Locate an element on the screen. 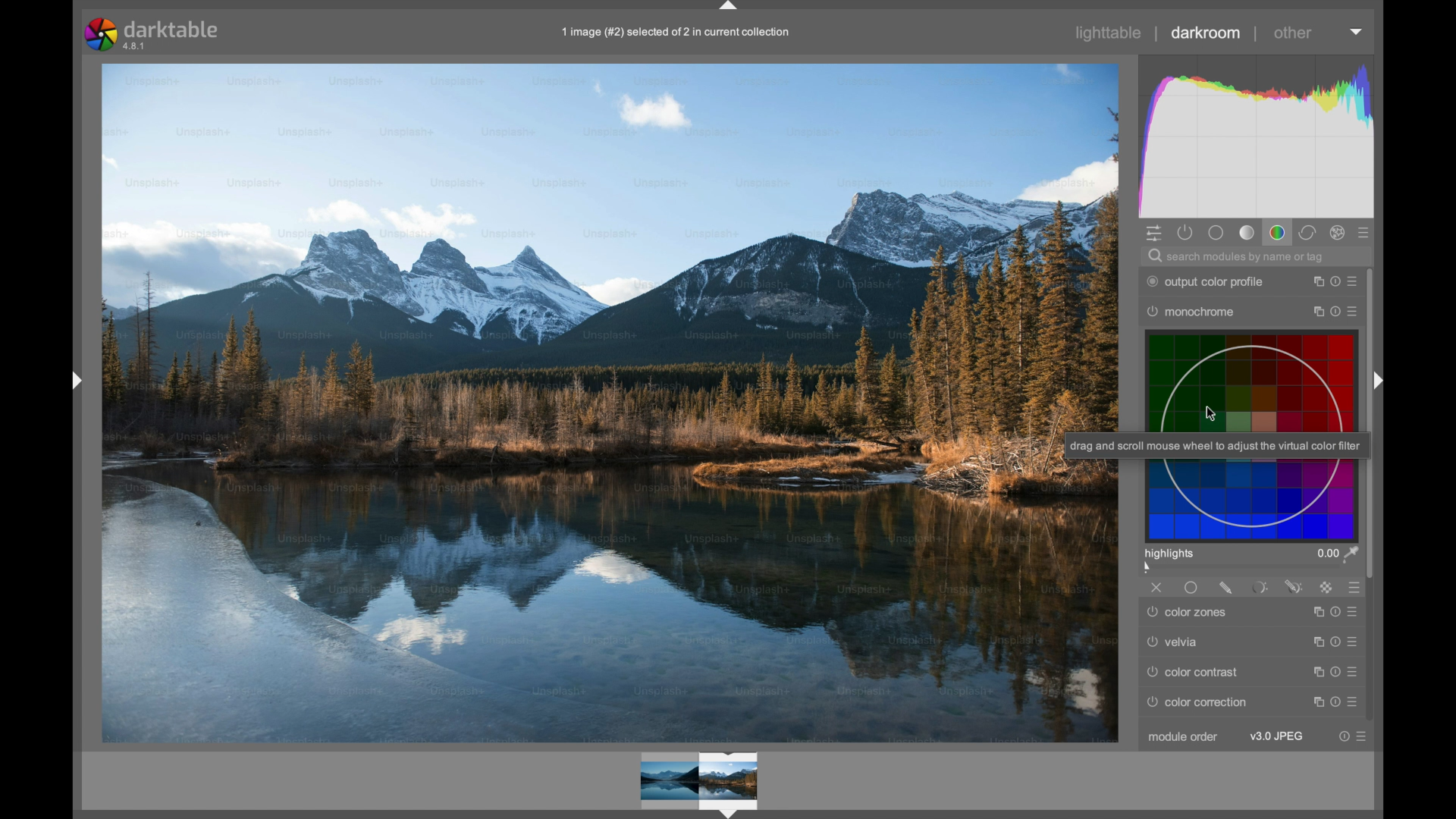  0.00 is located at coordinates (1337, 552).